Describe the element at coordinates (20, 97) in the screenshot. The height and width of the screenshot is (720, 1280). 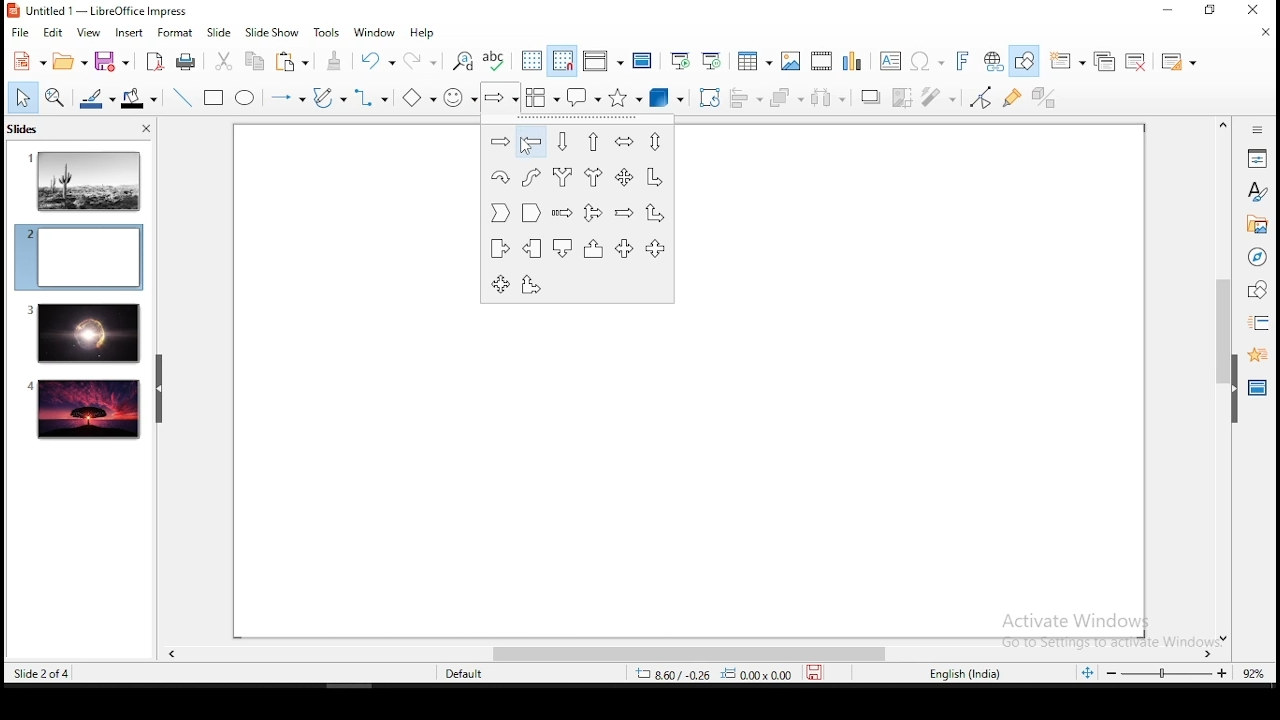
I see `select` at that location.